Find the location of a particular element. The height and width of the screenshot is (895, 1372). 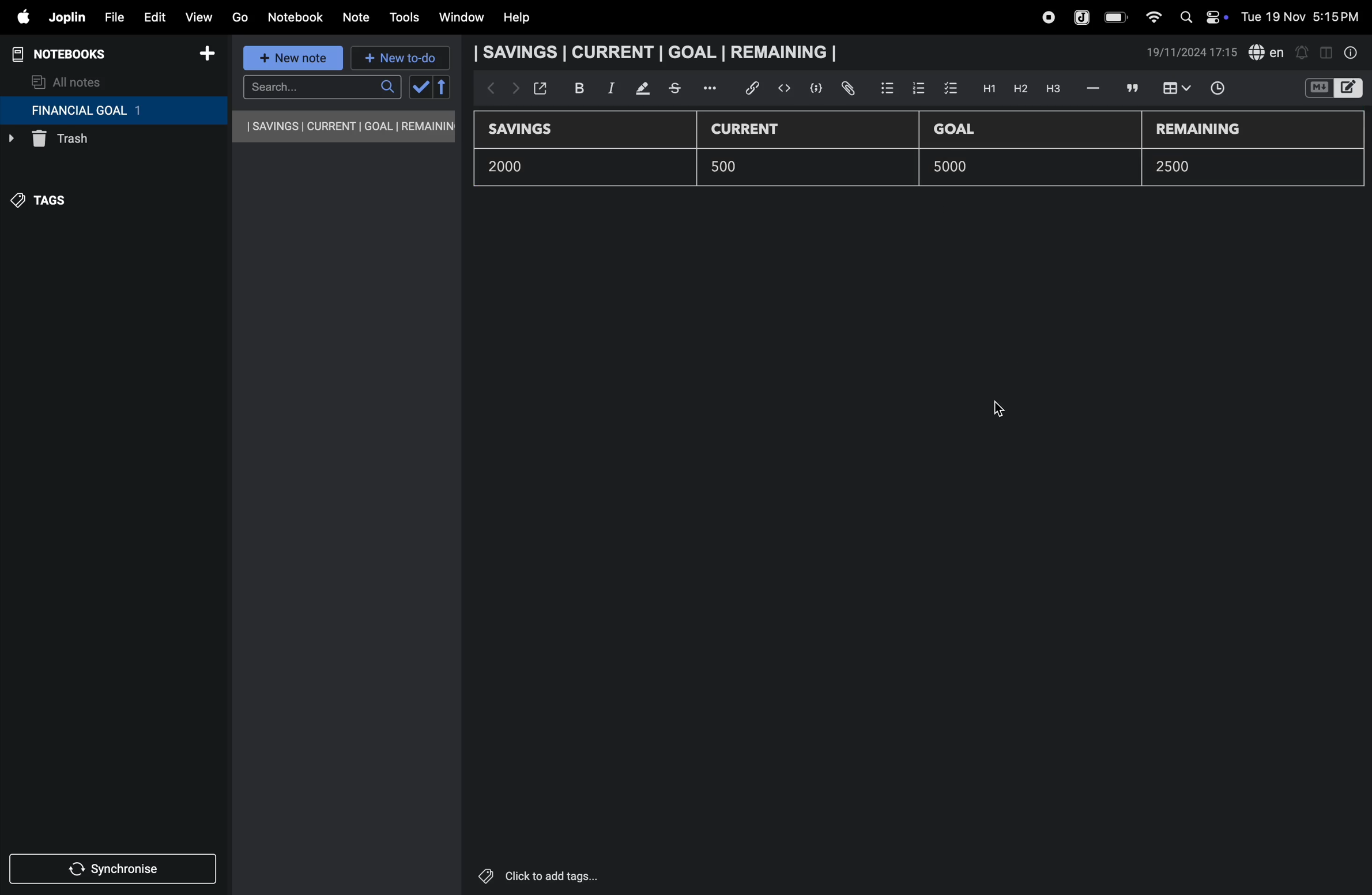

file is located at coordinates (110, 16).